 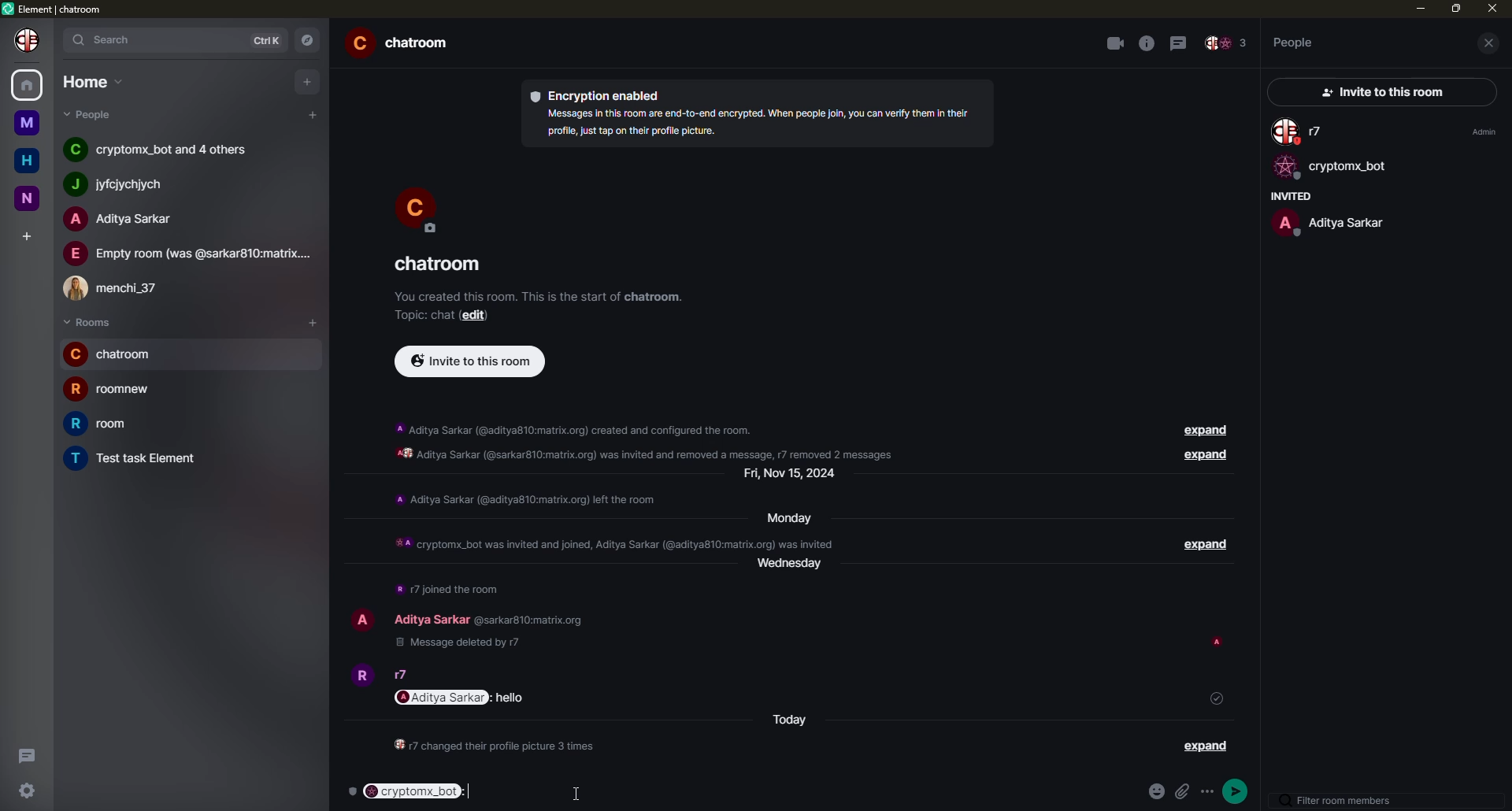 What do you see at coordinates (1147, 43) in the screenshot?
I see `info` at bounding box center [1147, 43].